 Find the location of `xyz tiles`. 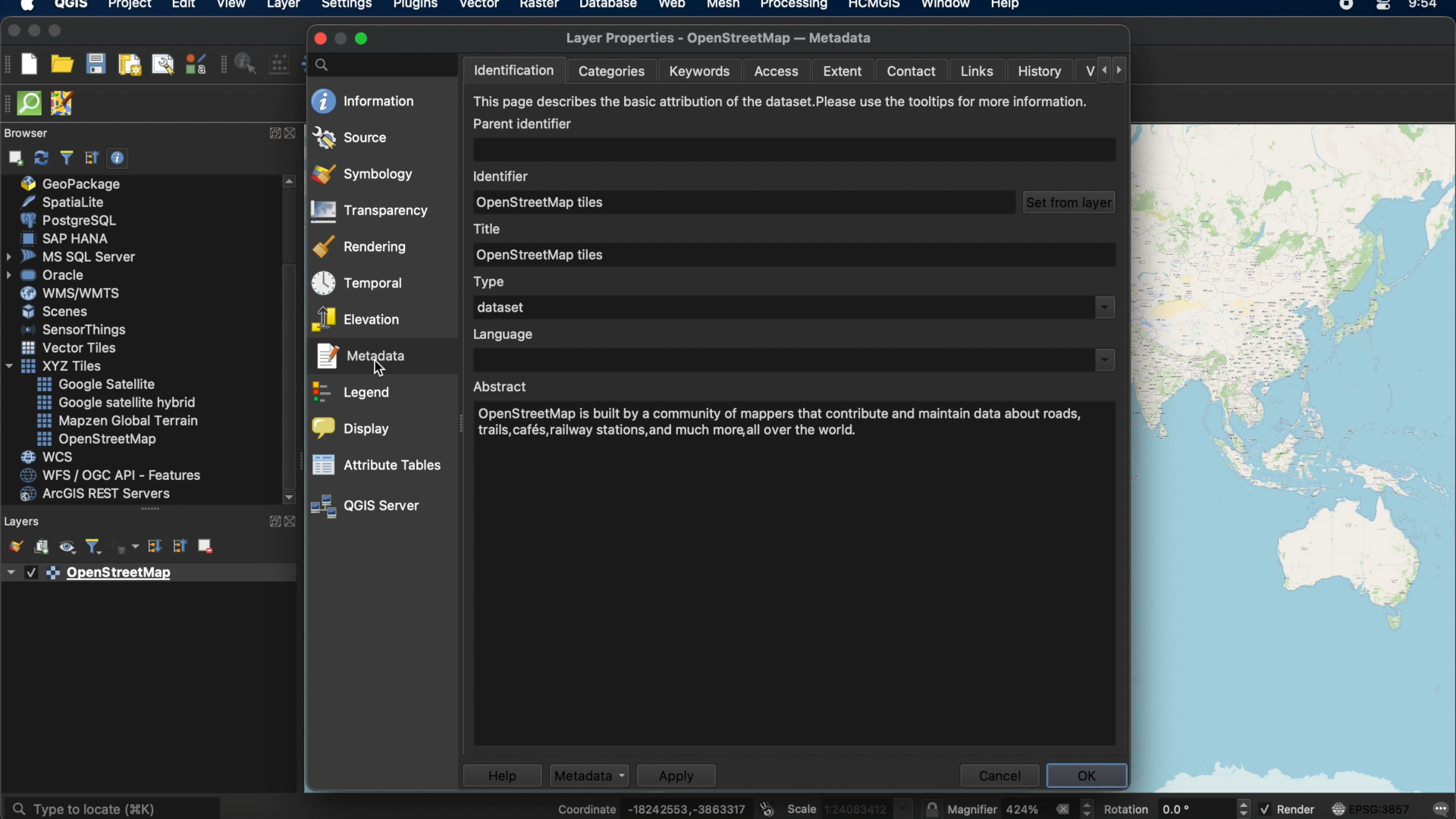

xyz tiles is located at coordinates (58, 366).